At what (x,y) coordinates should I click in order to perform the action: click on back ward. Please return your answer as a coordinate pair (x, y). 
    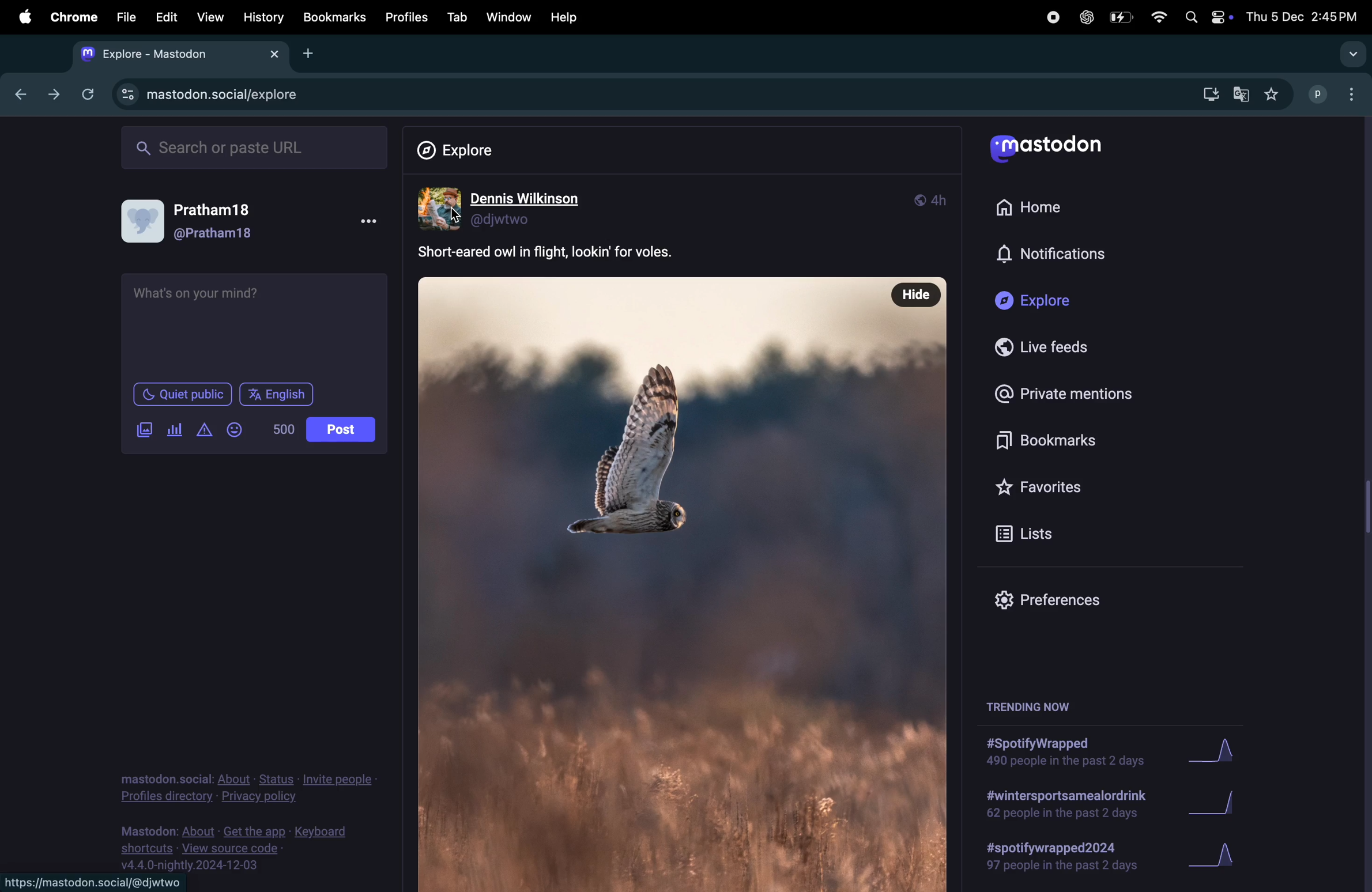
    Looking at the image, I should click on (18, 96).